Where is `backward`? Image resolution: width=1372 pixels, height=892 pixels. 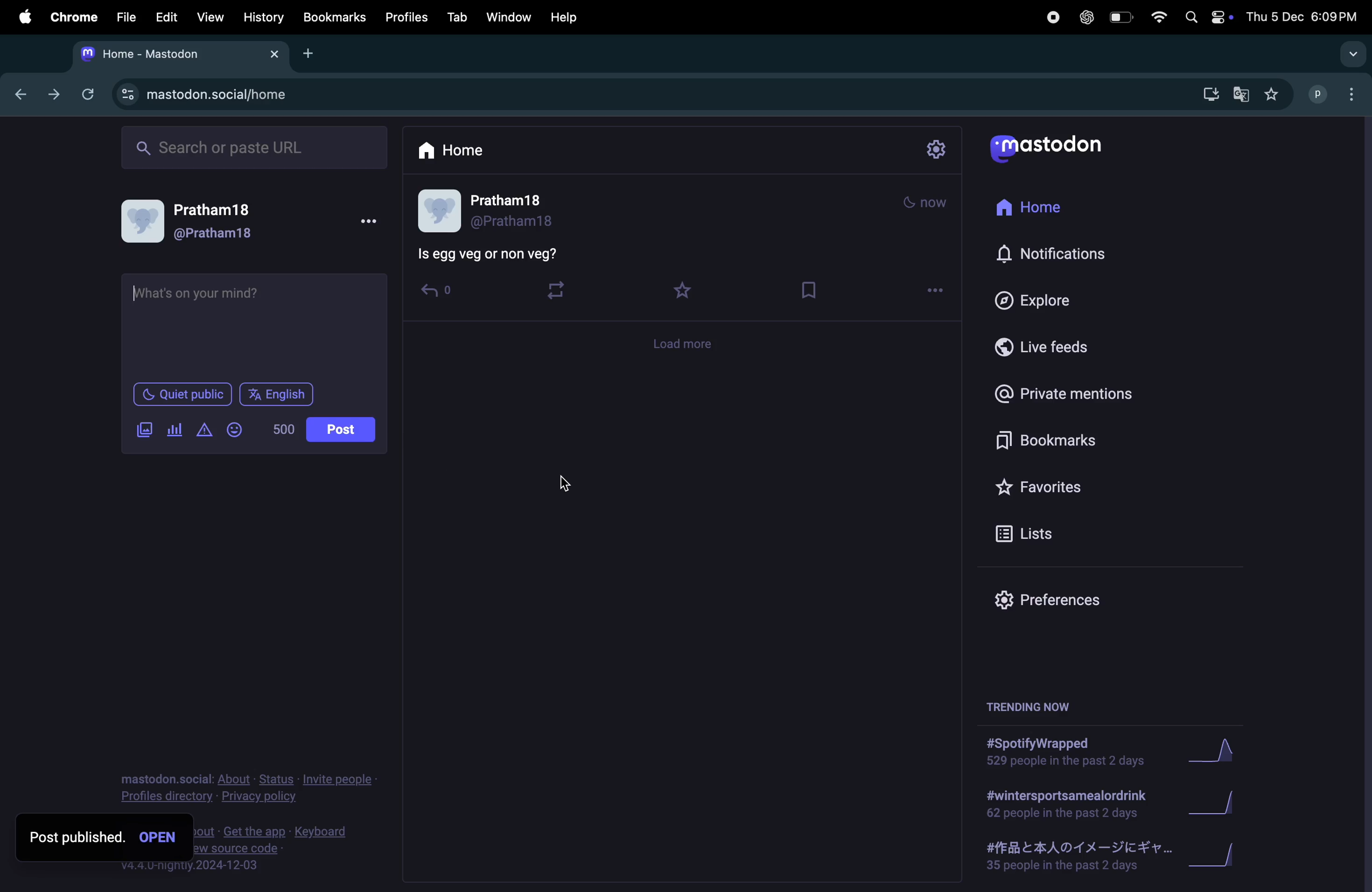 backward is located at coordinates (22, 95).